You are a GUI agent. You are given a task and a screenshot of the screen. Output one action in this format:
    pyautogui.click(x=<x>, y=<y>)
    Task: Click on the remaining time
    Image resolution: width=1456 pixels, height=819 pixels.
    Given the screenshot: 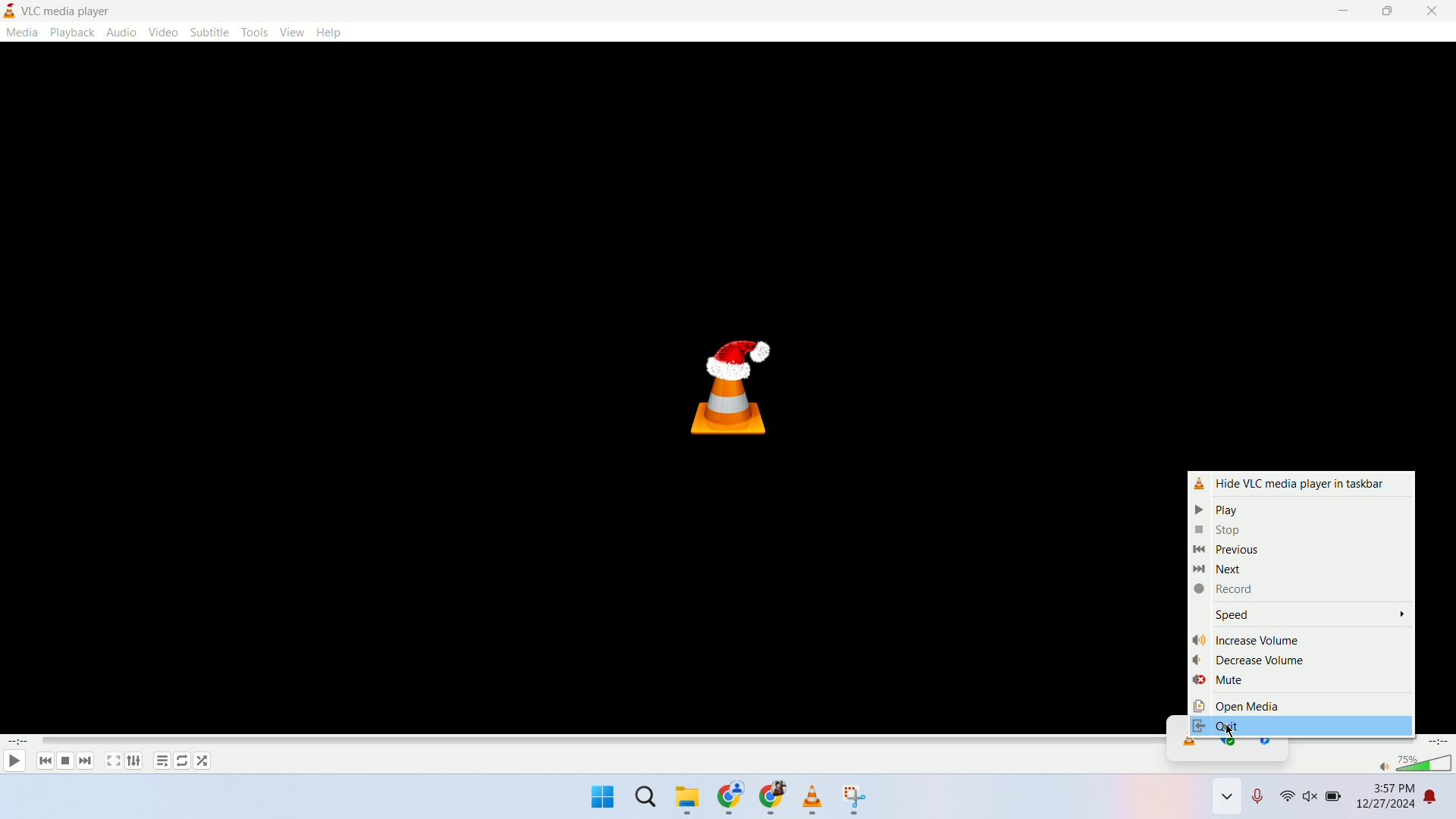 What is the action you would take?
    pyautogui.click(x=1439, y=742)
    